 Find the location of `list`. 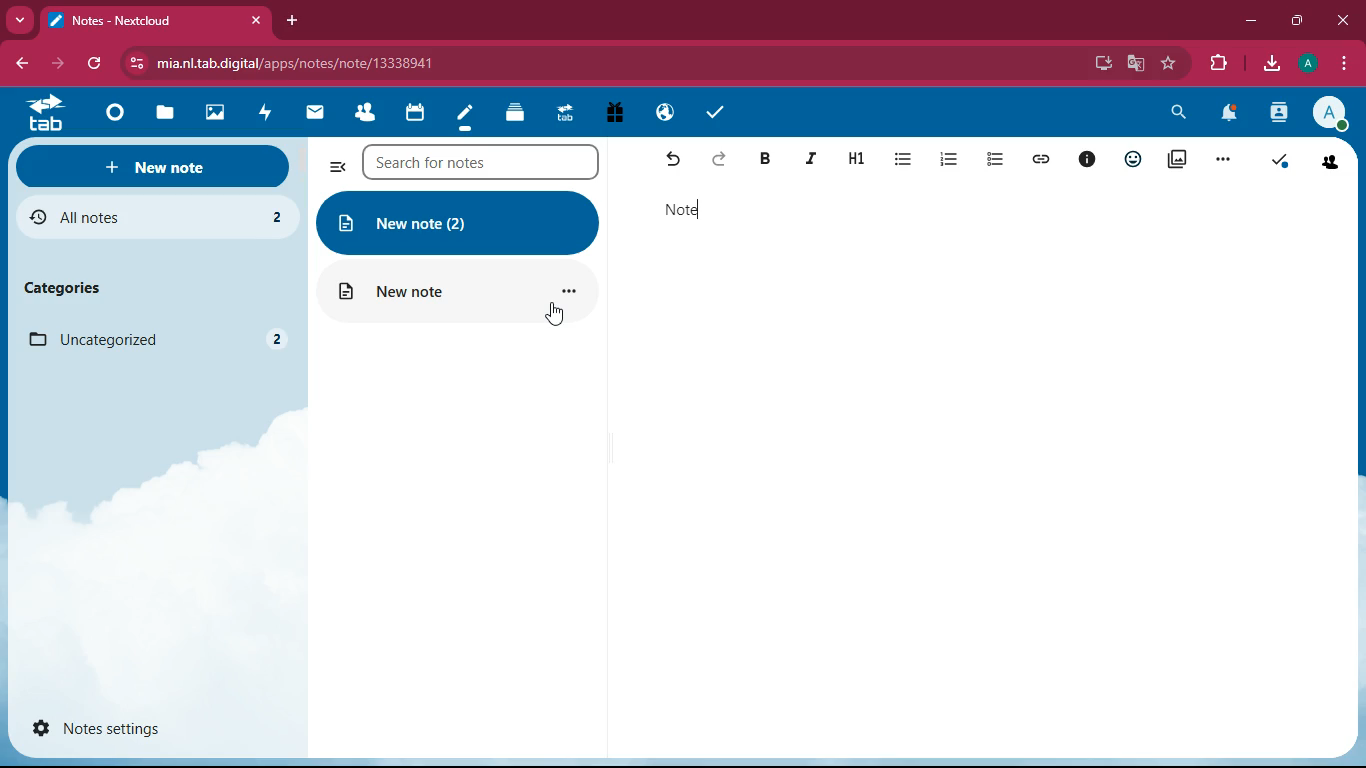

list is located at coordinates (907, 161).